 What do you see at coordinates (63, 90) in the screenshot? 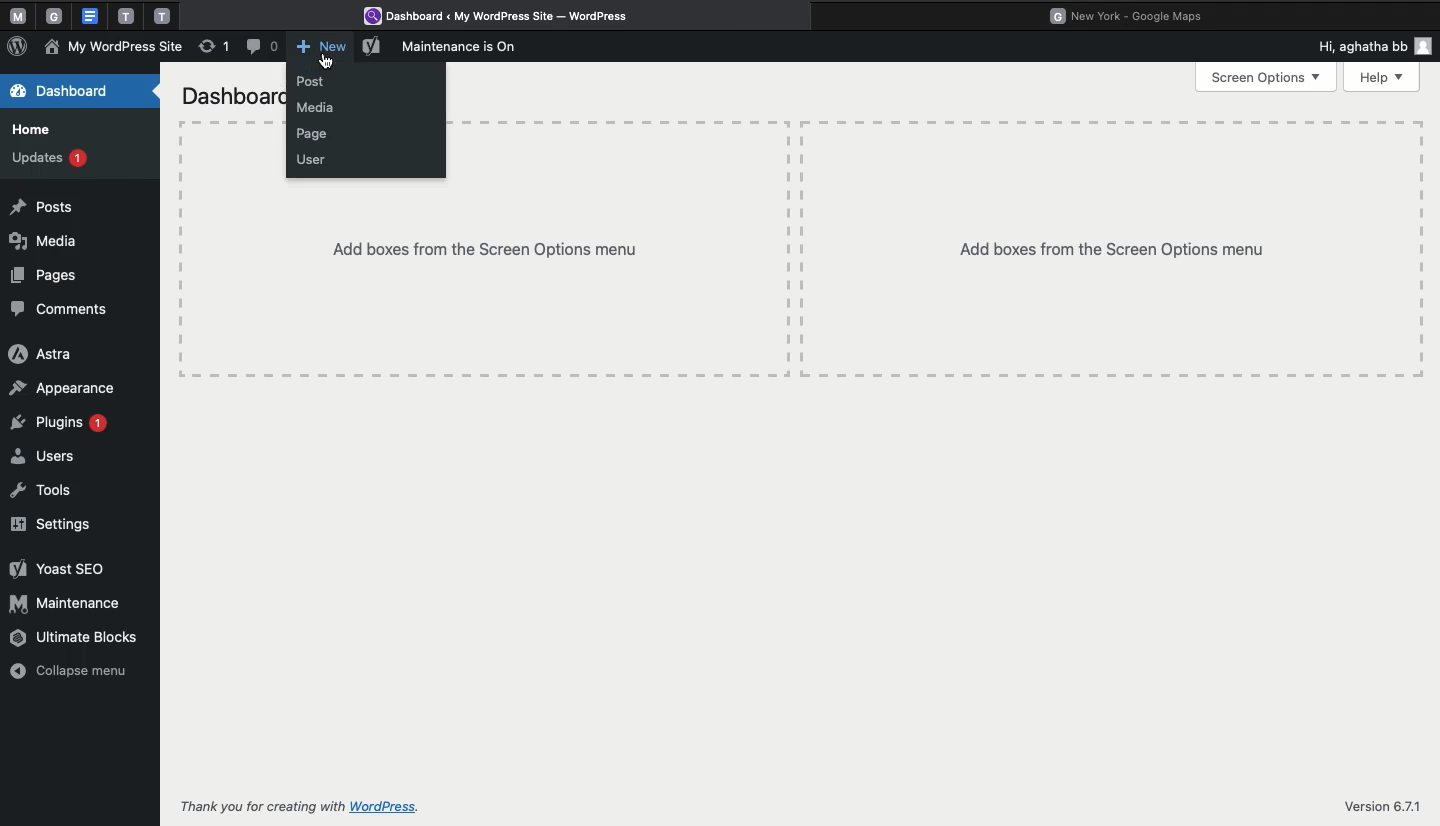
I see `Dashboard` at bounding box center [63, 90].